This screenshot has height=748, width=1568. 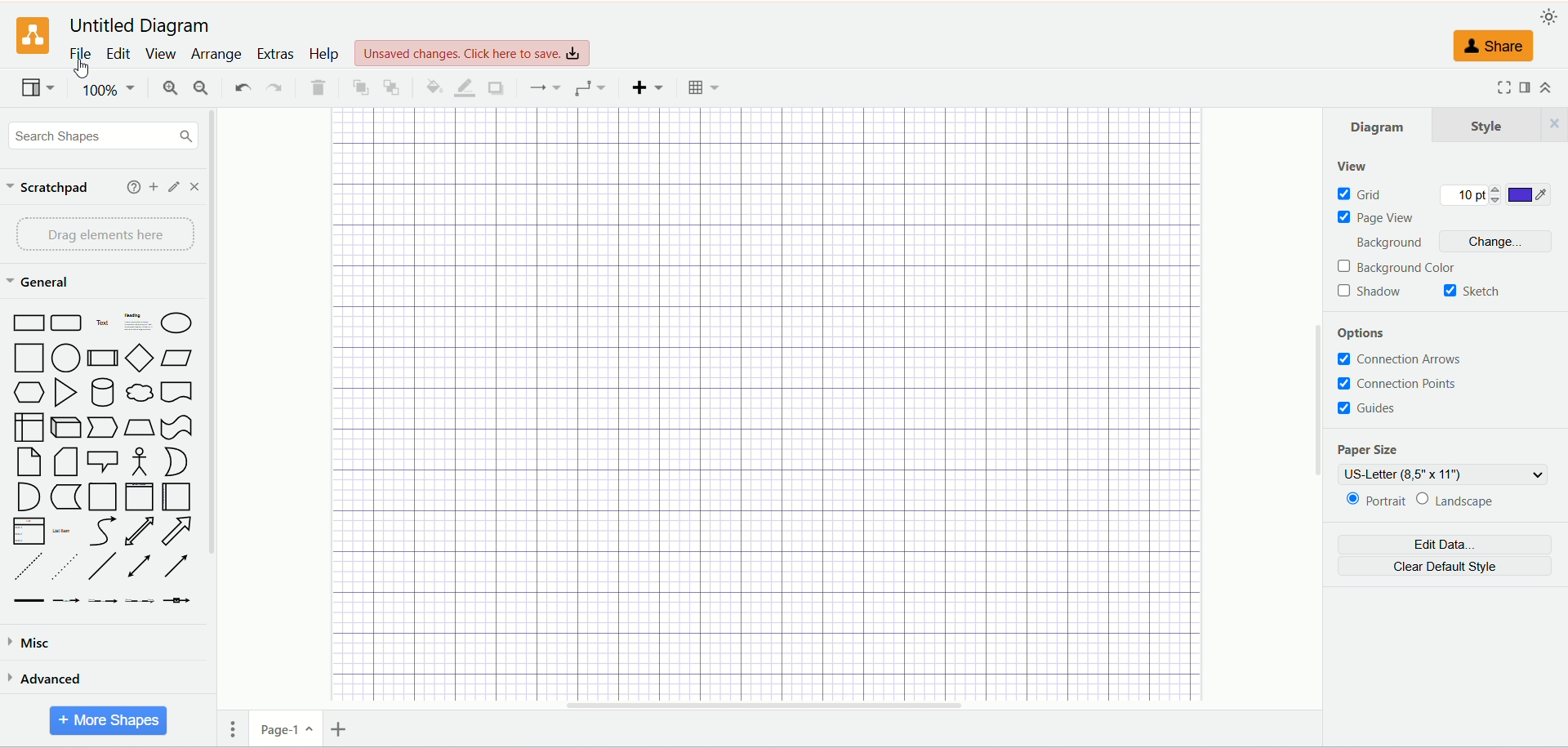 What do you see at coordinates (109, 720) in the screenshot?
I see `more shapes` at bounding box center [109, 720].